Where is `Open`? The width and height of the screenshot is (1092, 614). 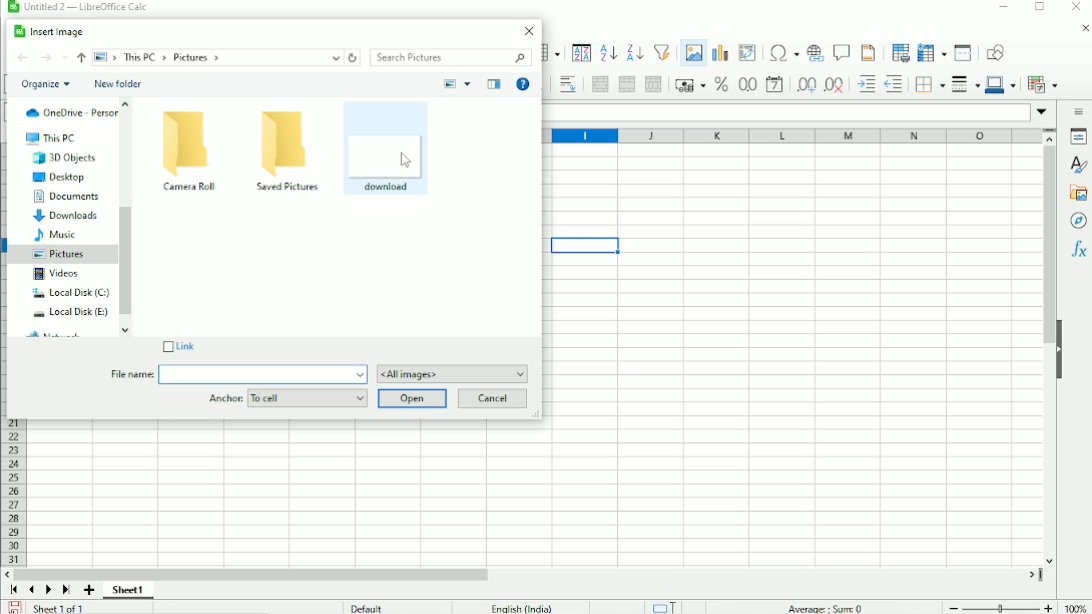 Open is located at coordinates (412, 399).